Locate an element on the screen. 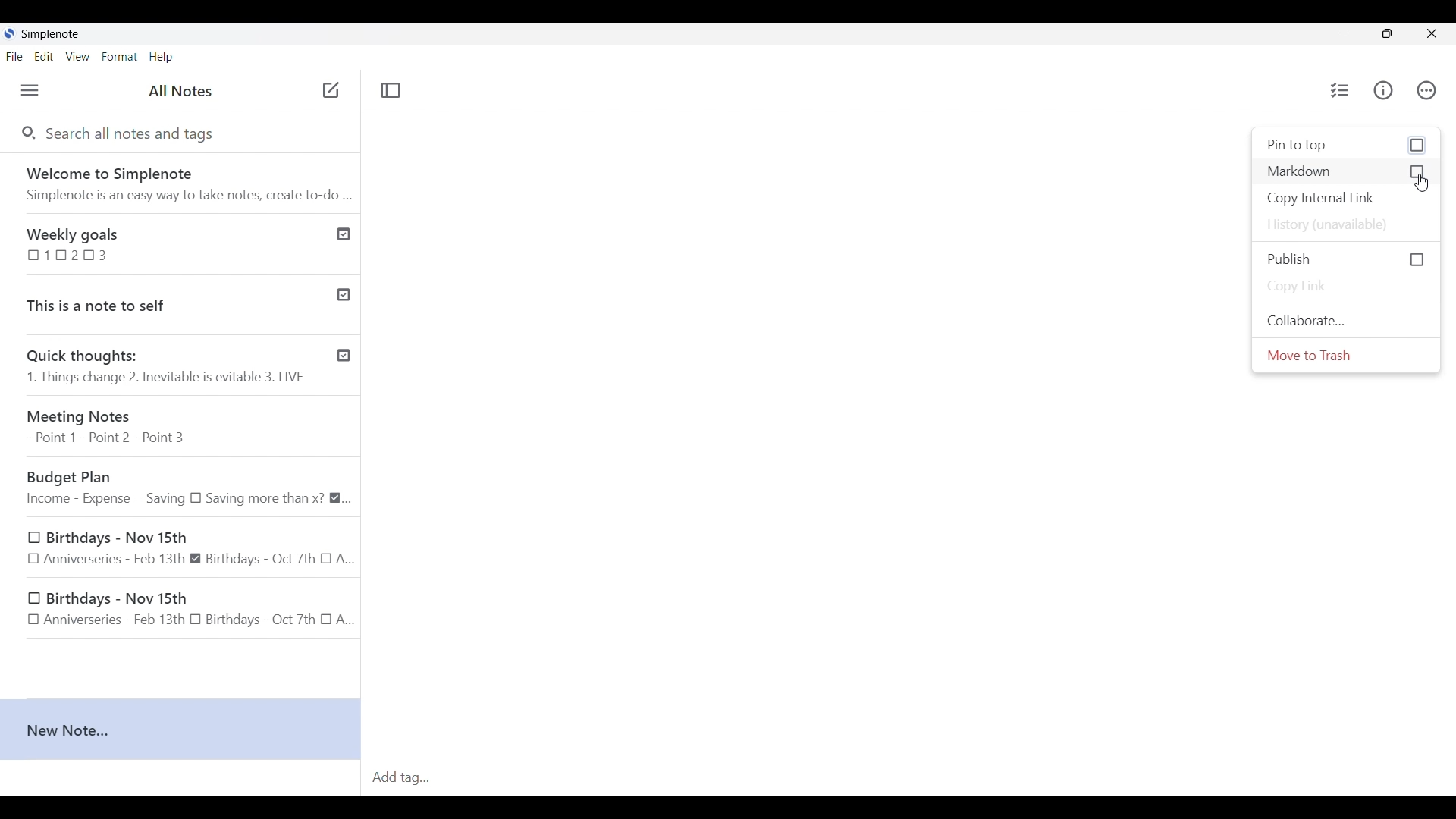 The height and width of the screenshot is (819, 1456). Format menu is located at coordinates (119, 57).